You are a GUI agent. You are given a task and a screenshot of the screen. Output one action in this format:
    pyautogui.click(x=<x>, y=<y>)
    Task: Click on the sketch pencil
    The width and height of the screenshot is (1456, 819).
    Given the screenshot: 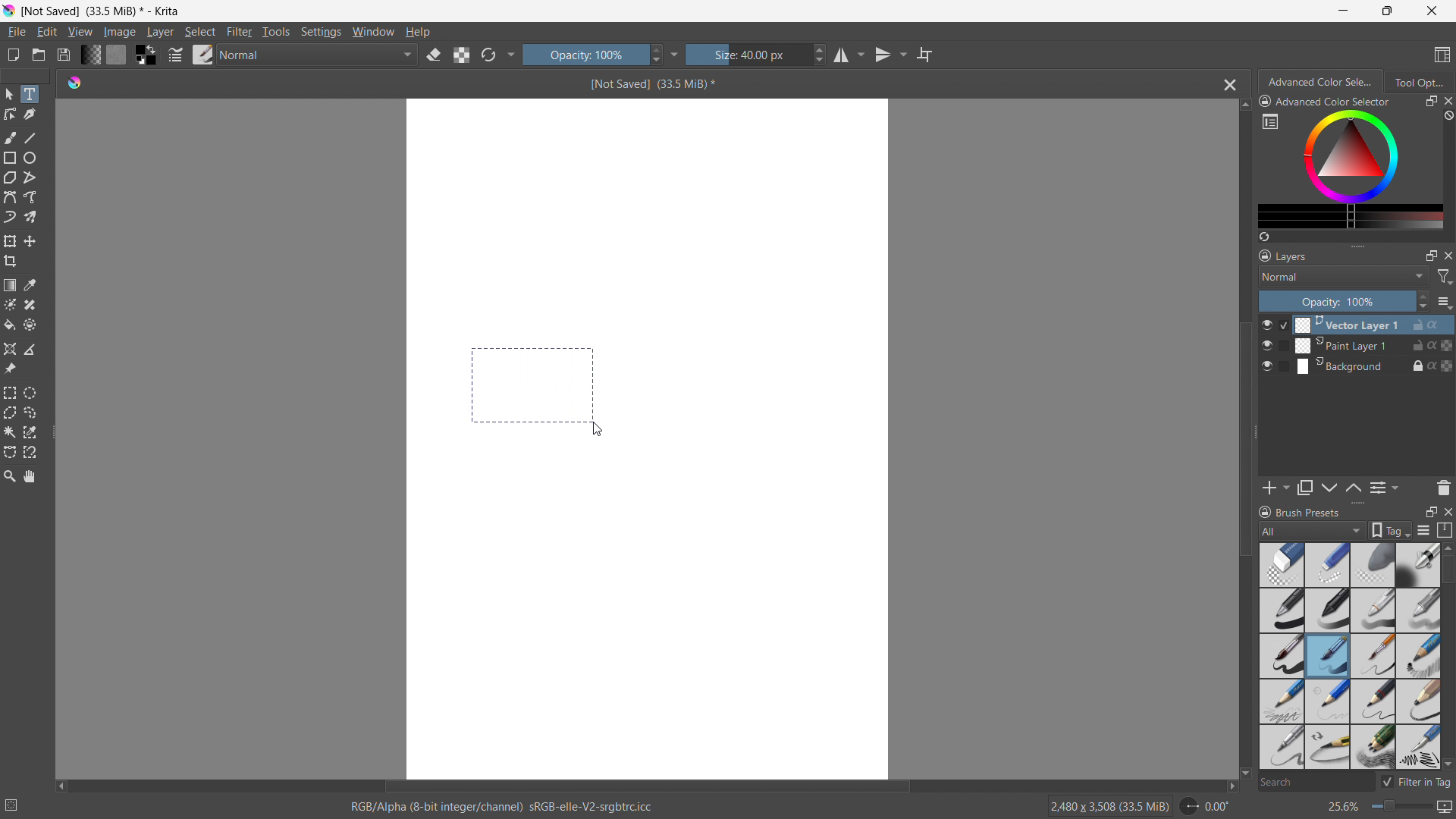 What is the action you would take?
    pyautogui.click(x=1417, y=657)
    